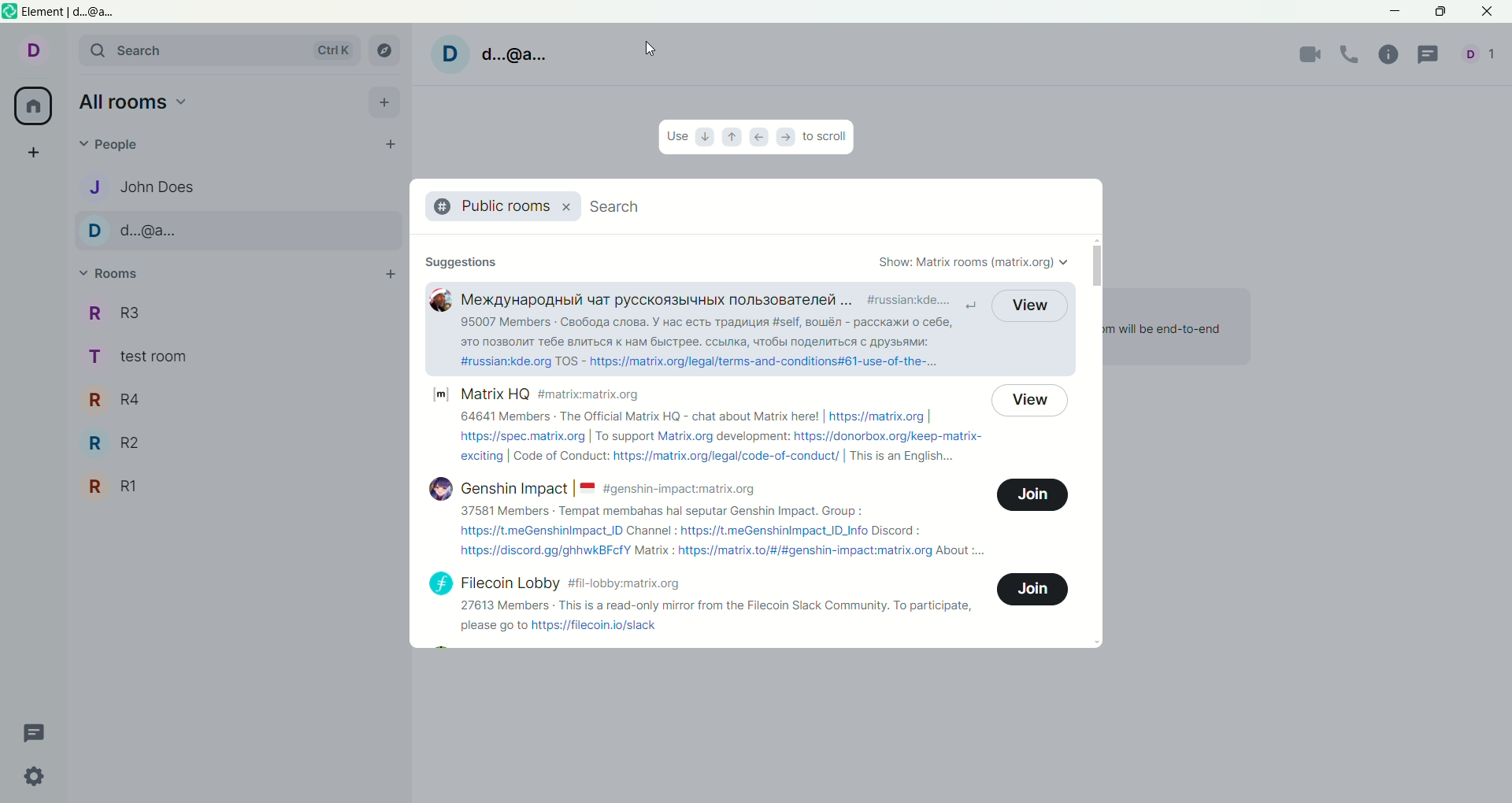  I want to click on create a space, so click(31, 153).